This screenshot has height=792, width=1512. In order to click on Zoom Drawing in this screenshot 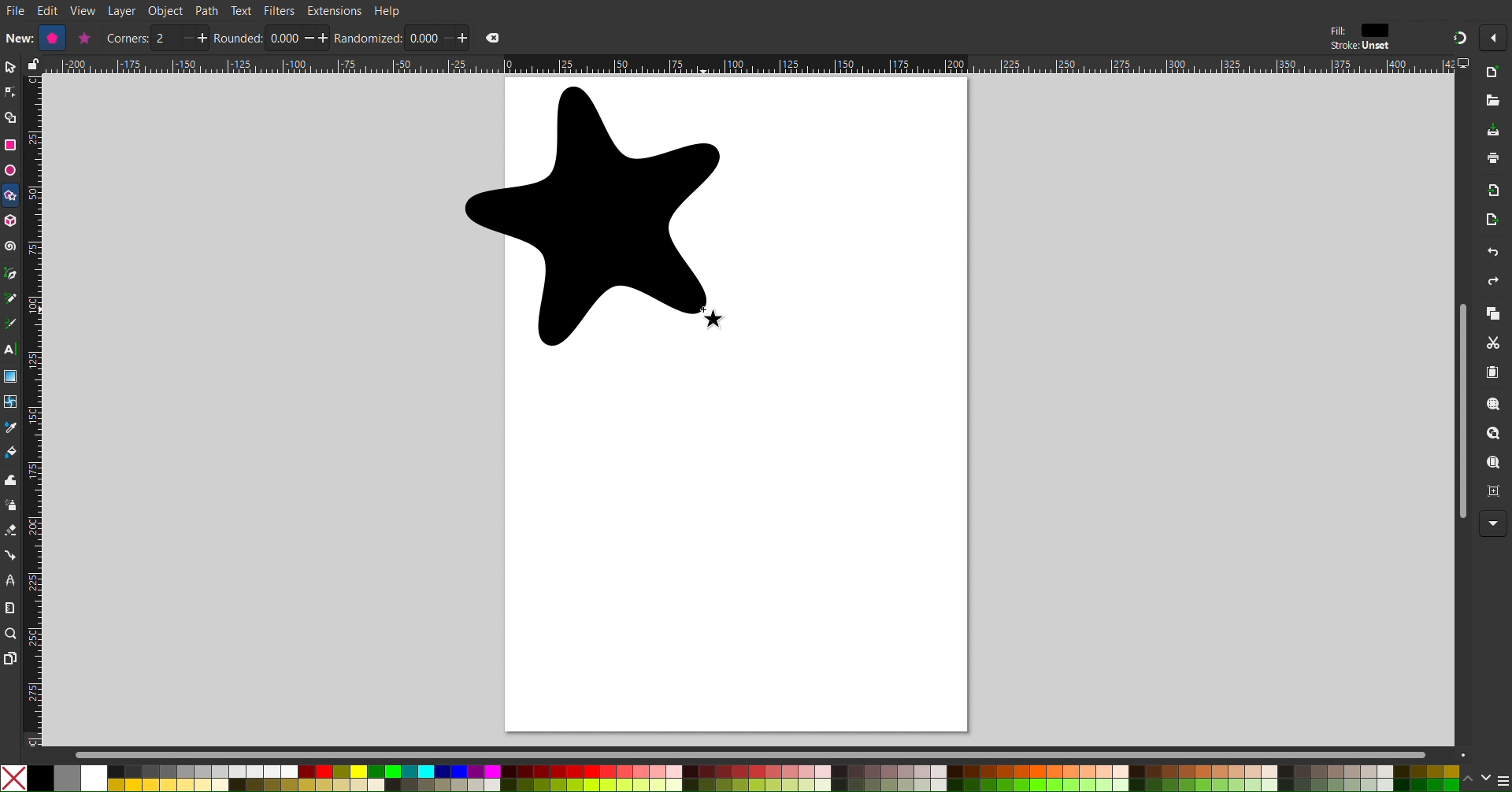, I will do `click(1495, 435)`.